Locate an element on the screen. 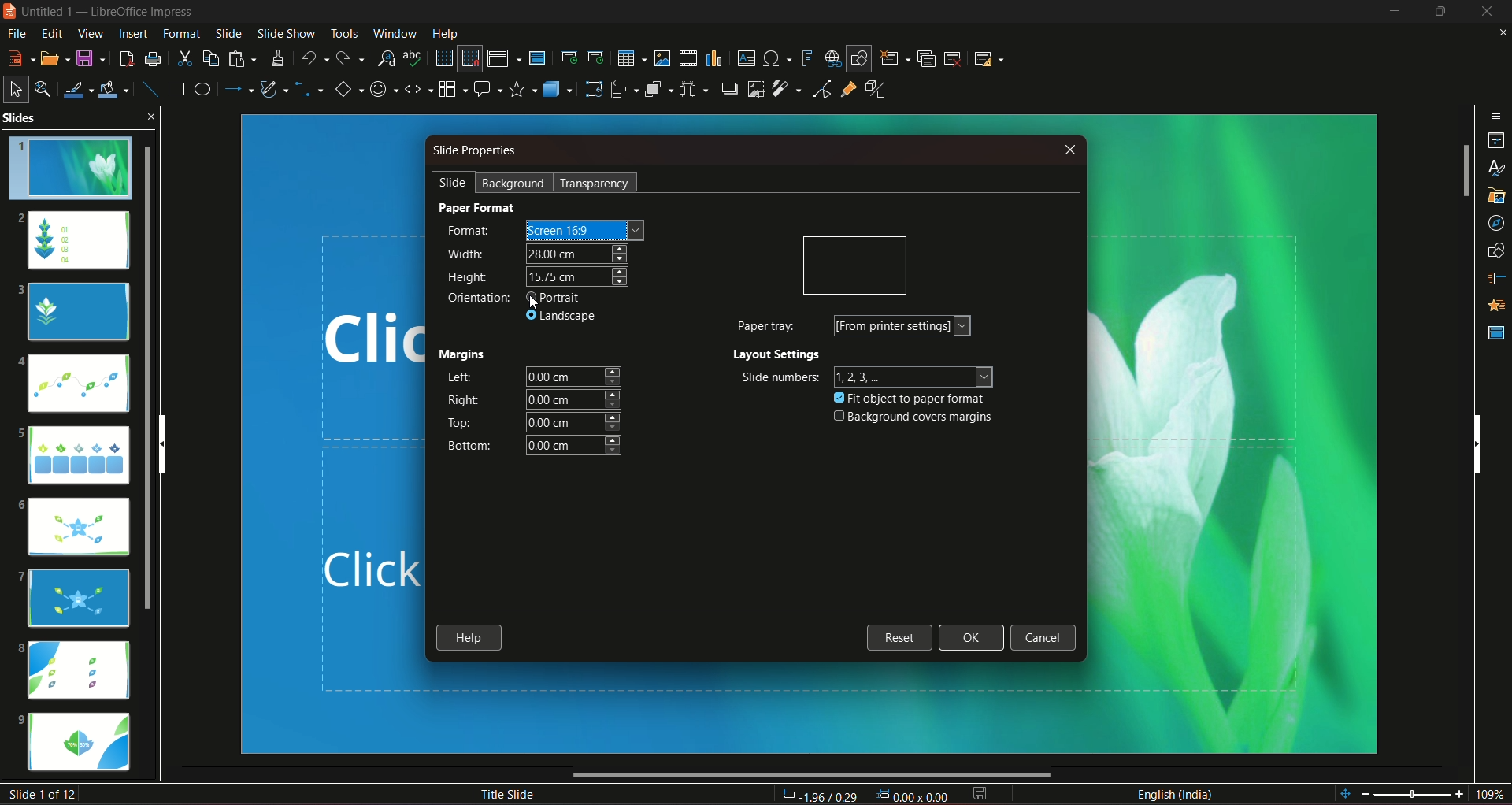 This screenshot has height=805, width=1512. height is located at coordinates (576, 277).